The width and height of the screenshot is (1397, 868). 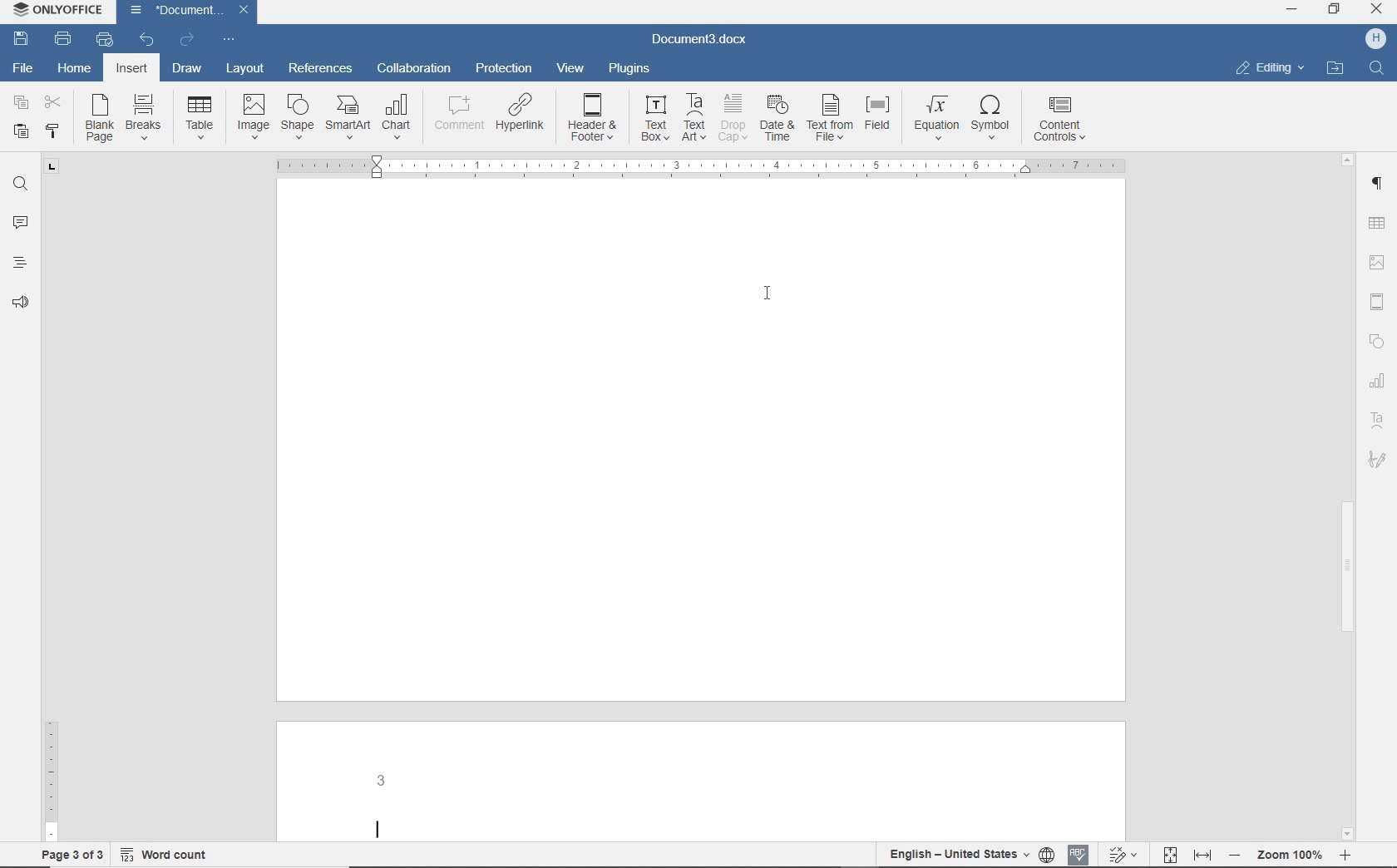 I want to click on Zoom out, so click(x=1233, y=854).